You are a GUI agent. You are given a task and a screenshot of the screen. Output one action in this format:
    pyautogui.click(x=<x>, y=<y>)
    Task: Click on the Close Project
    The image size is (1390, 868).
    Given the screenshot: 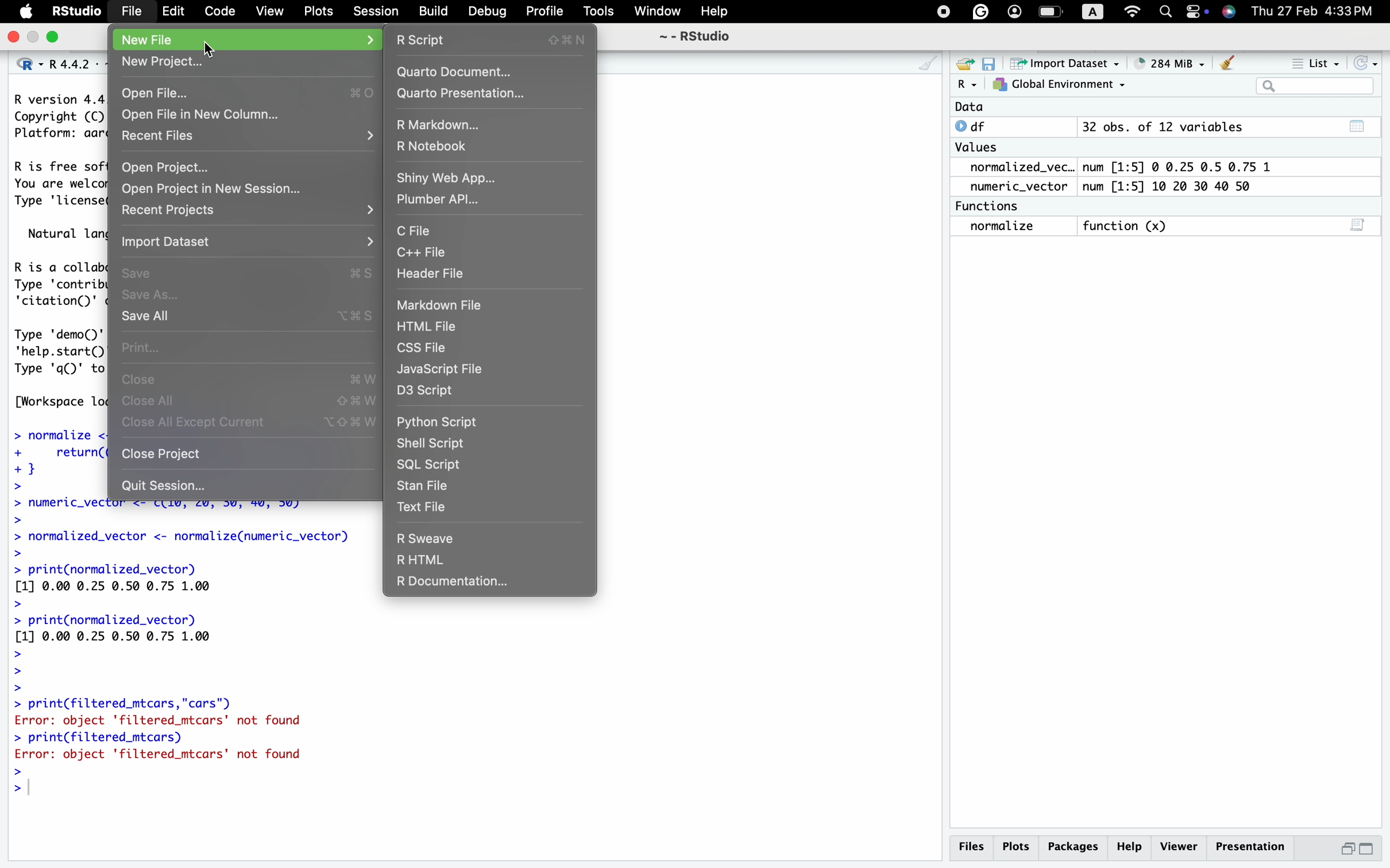 What is the action you would take?
    pyautogui.click(x=167, y=456)
    